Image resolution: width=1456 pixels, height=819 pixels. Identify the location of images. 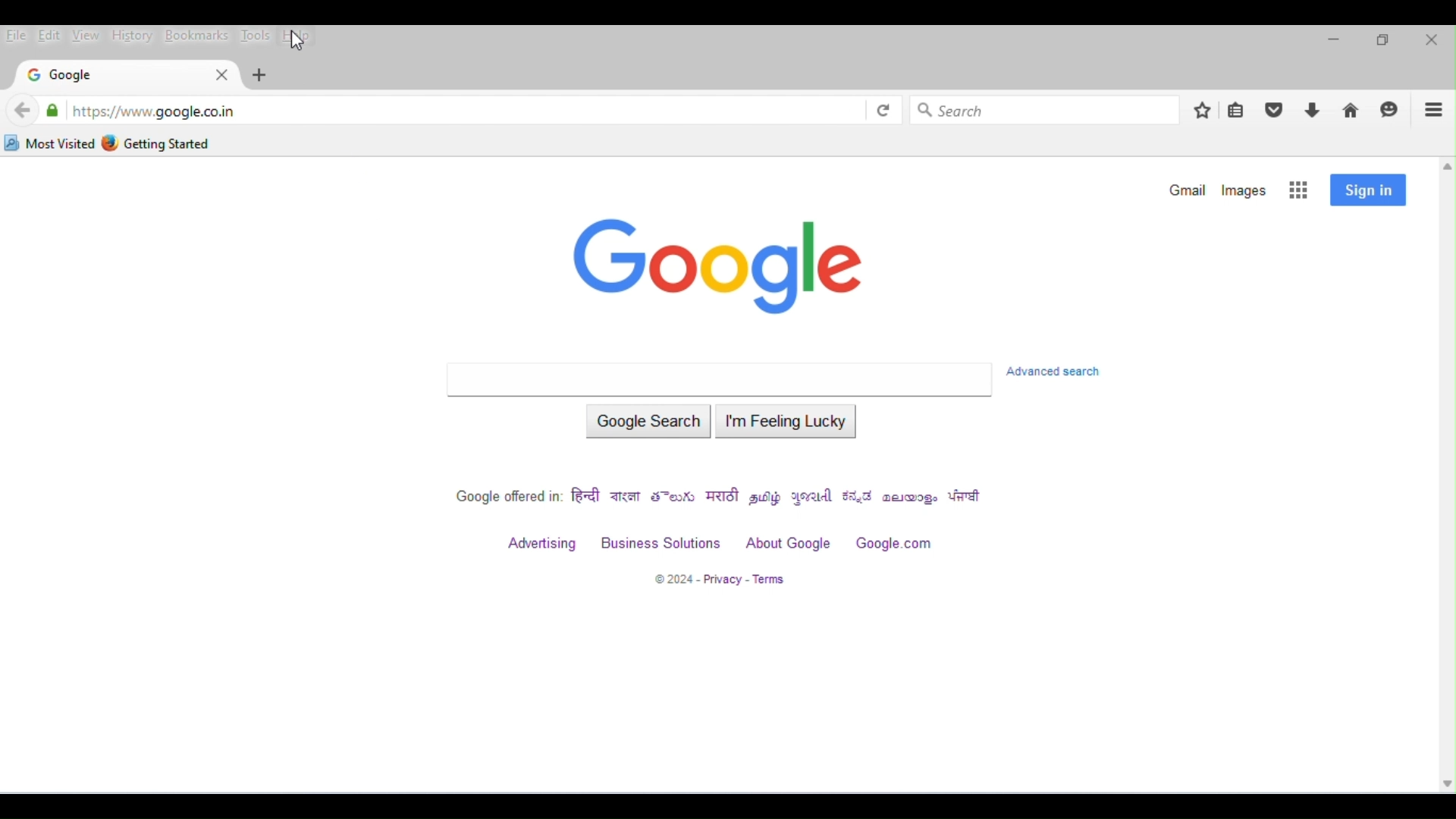
(1246, 190).